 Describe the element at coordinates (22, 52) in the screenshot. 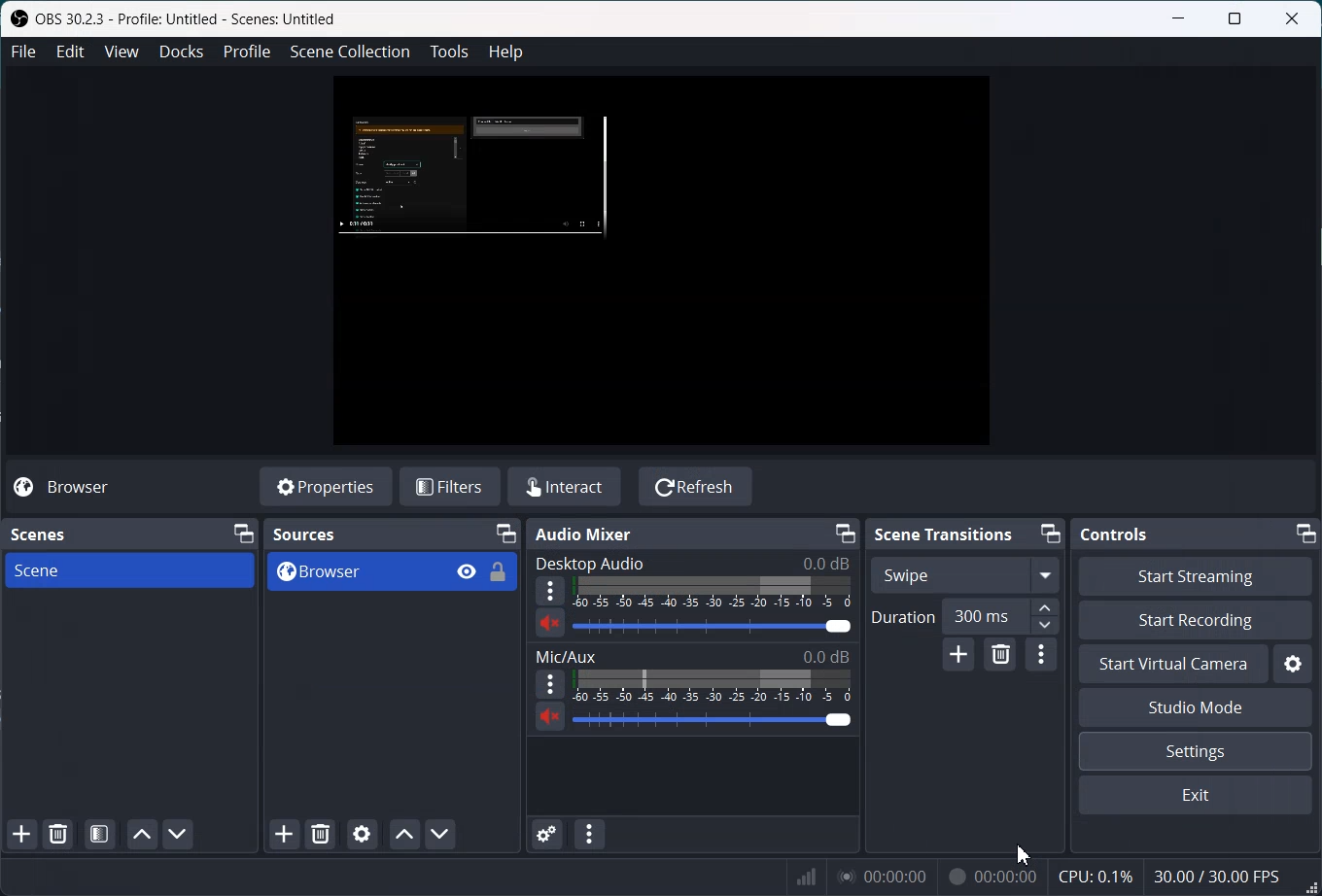

I see `File` at that location.